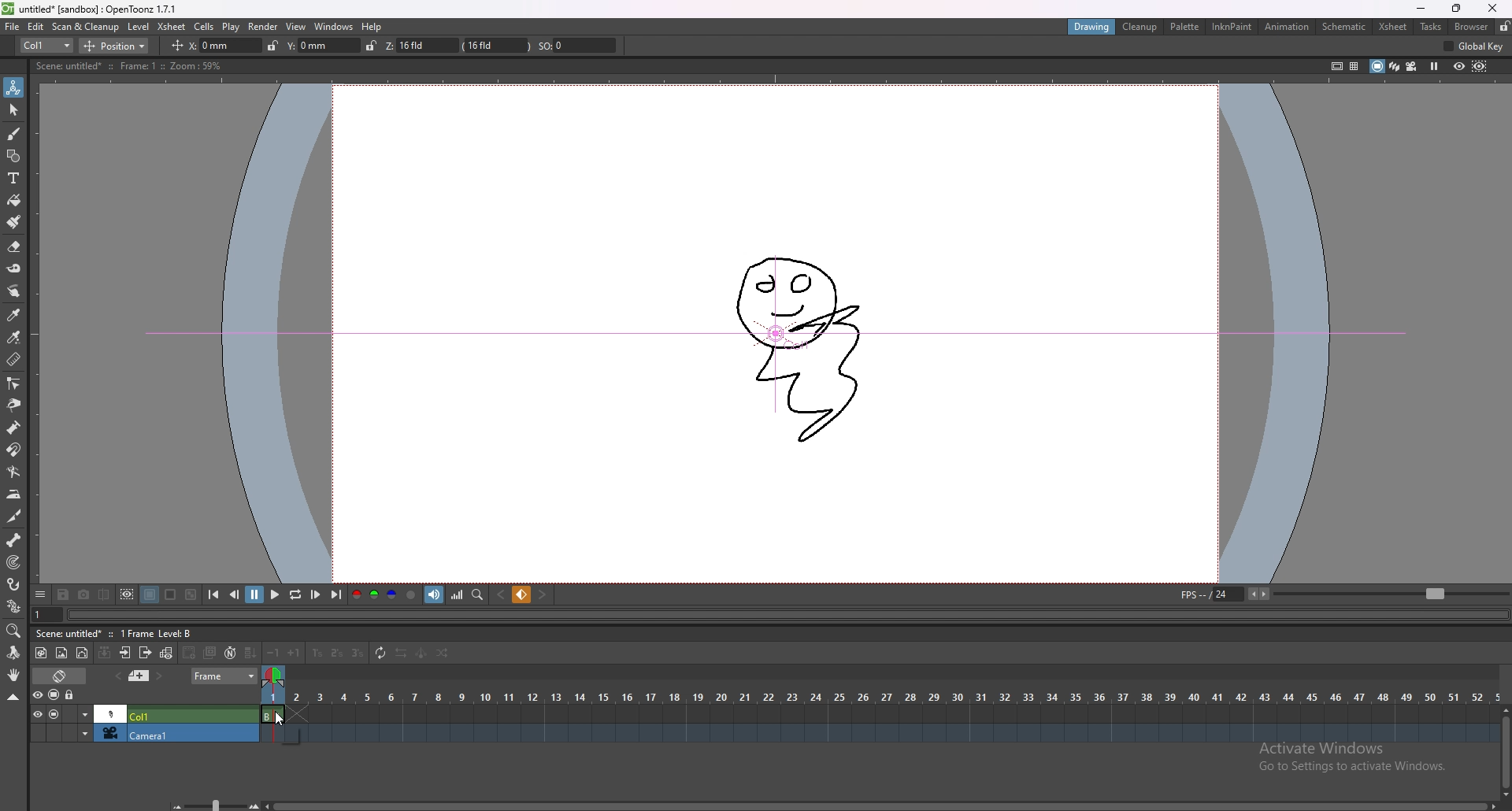 Image resolution: width=1512 pixels, height=811 pixels. What do you see at coordinates (372, 596) in the screenshot?
I see `green channel` at bounding box center [372, 596].